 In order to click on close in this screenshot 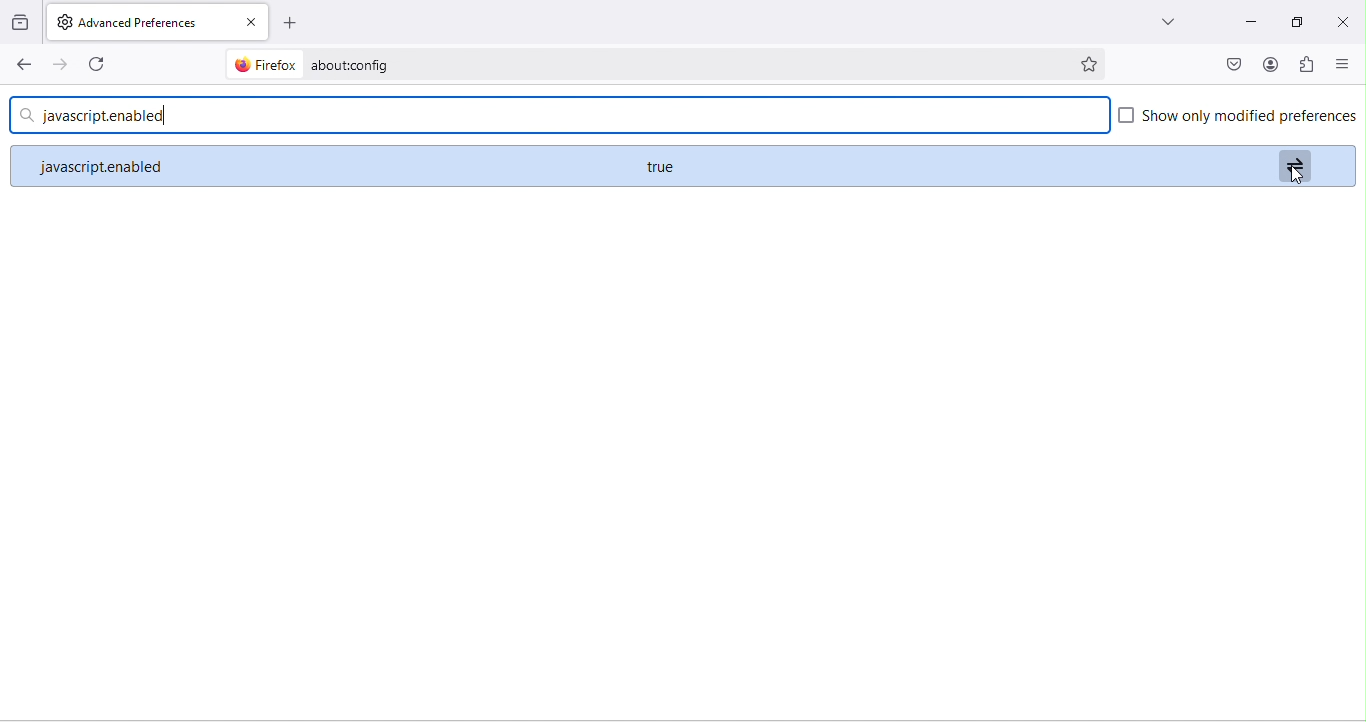, I will do `click(1343, 21)`.